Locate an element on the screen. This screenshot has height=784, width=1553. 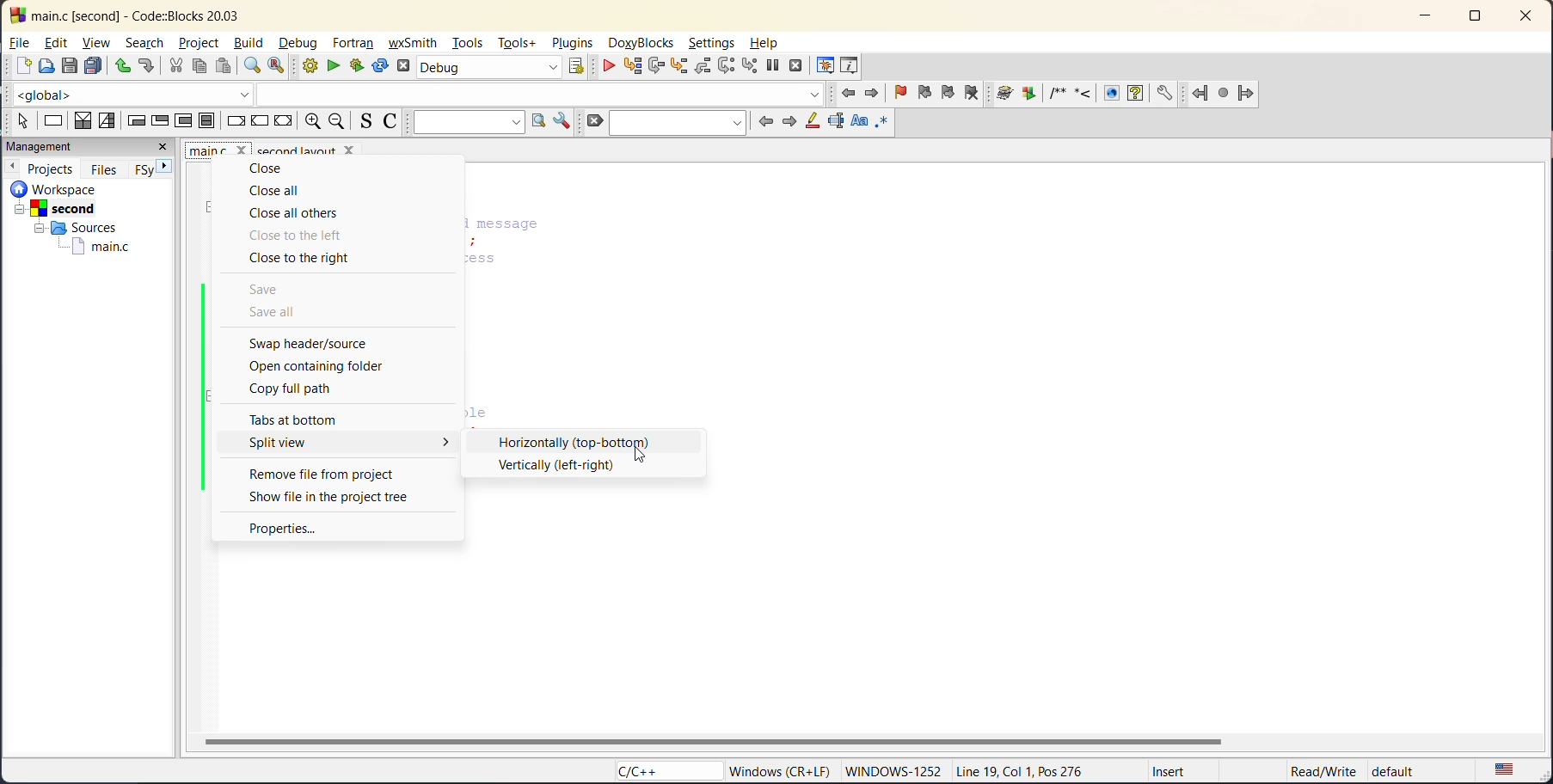
metadata is located at coordinates (780, 770).